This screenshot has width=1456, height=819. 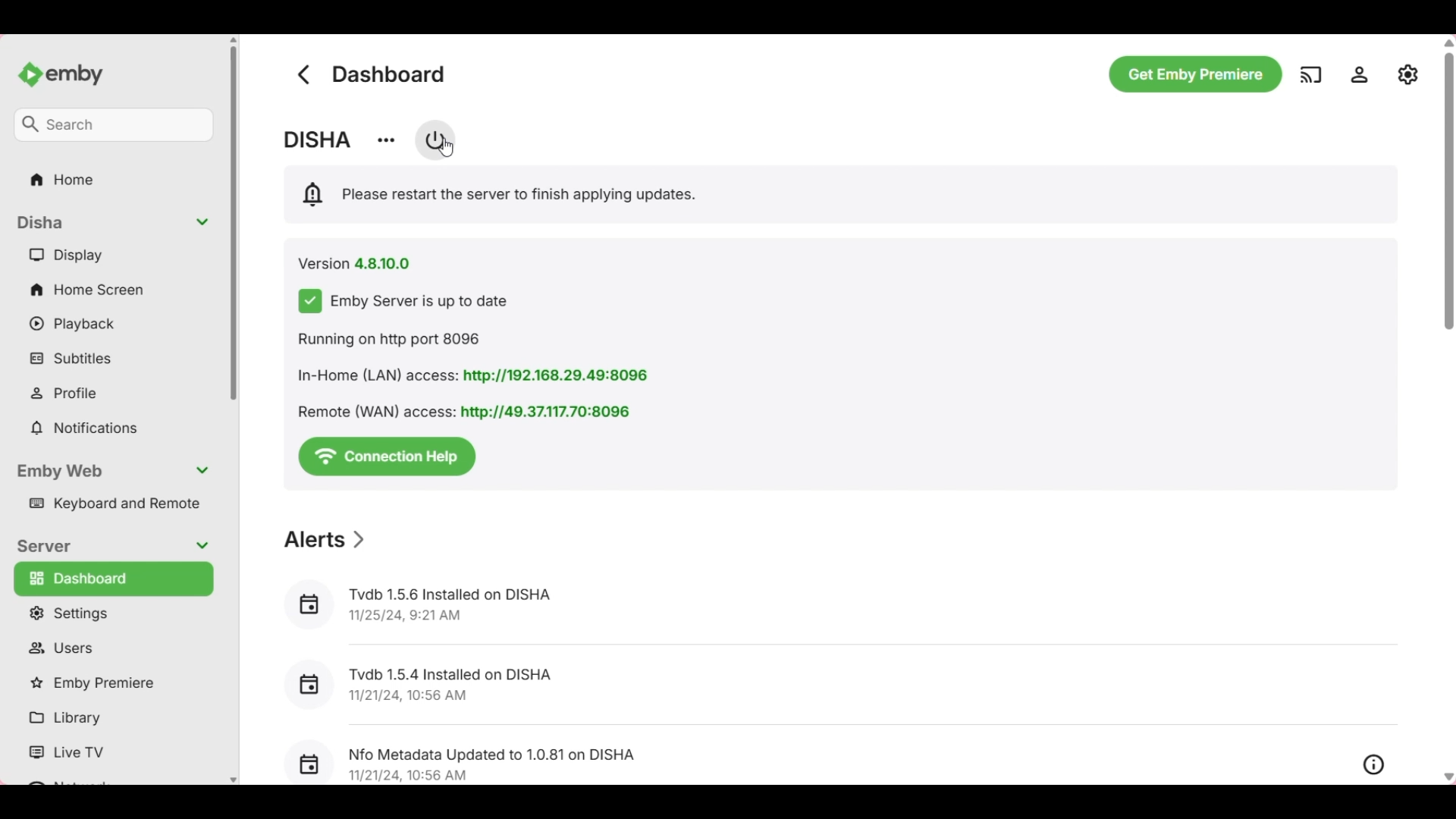 What do you see at coordinates (114, 289) in the screenshot?
I see `Home screen` at bounding box center [114, 289].